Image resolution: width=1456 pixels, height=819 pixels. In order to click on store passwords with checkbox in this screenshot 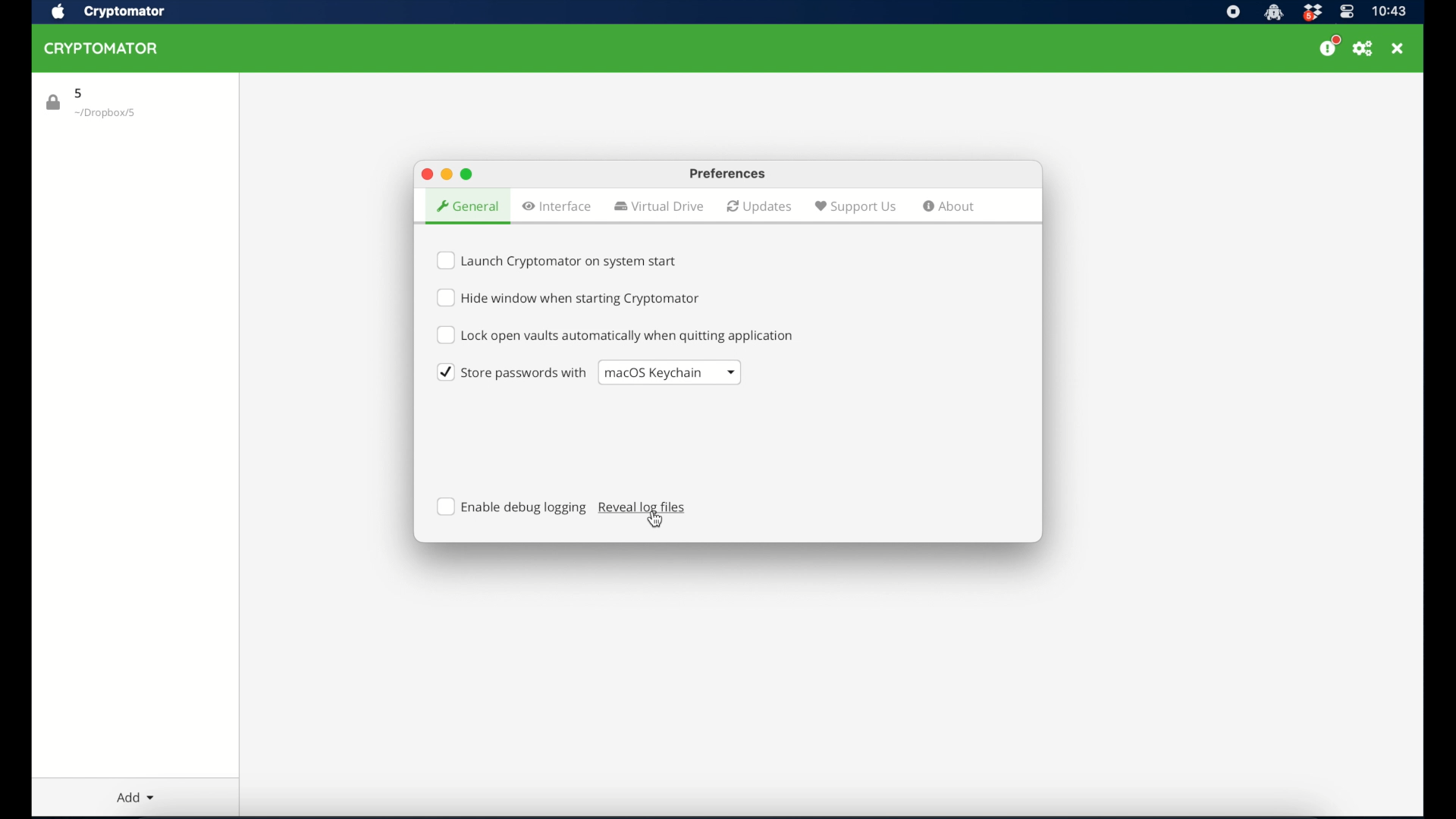, I will do `click(511, 372)`.